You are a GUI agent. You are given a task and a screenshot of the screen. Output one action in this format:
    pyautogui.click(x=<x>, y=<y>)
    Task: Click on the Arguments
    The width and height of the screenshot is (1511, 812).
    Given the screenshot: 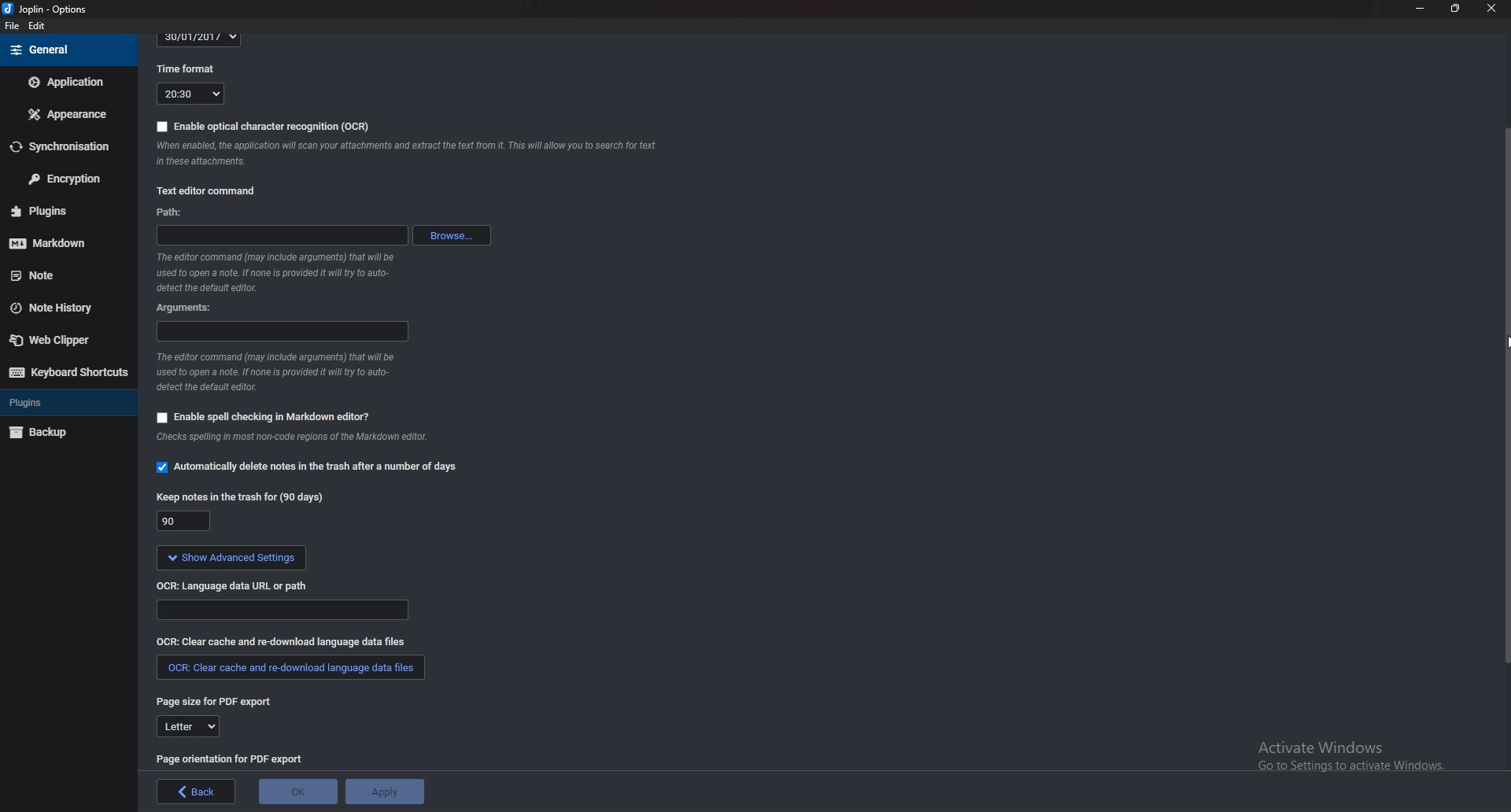 What is the action you would take?
    pyautogui.click(x=280, y=330)
    